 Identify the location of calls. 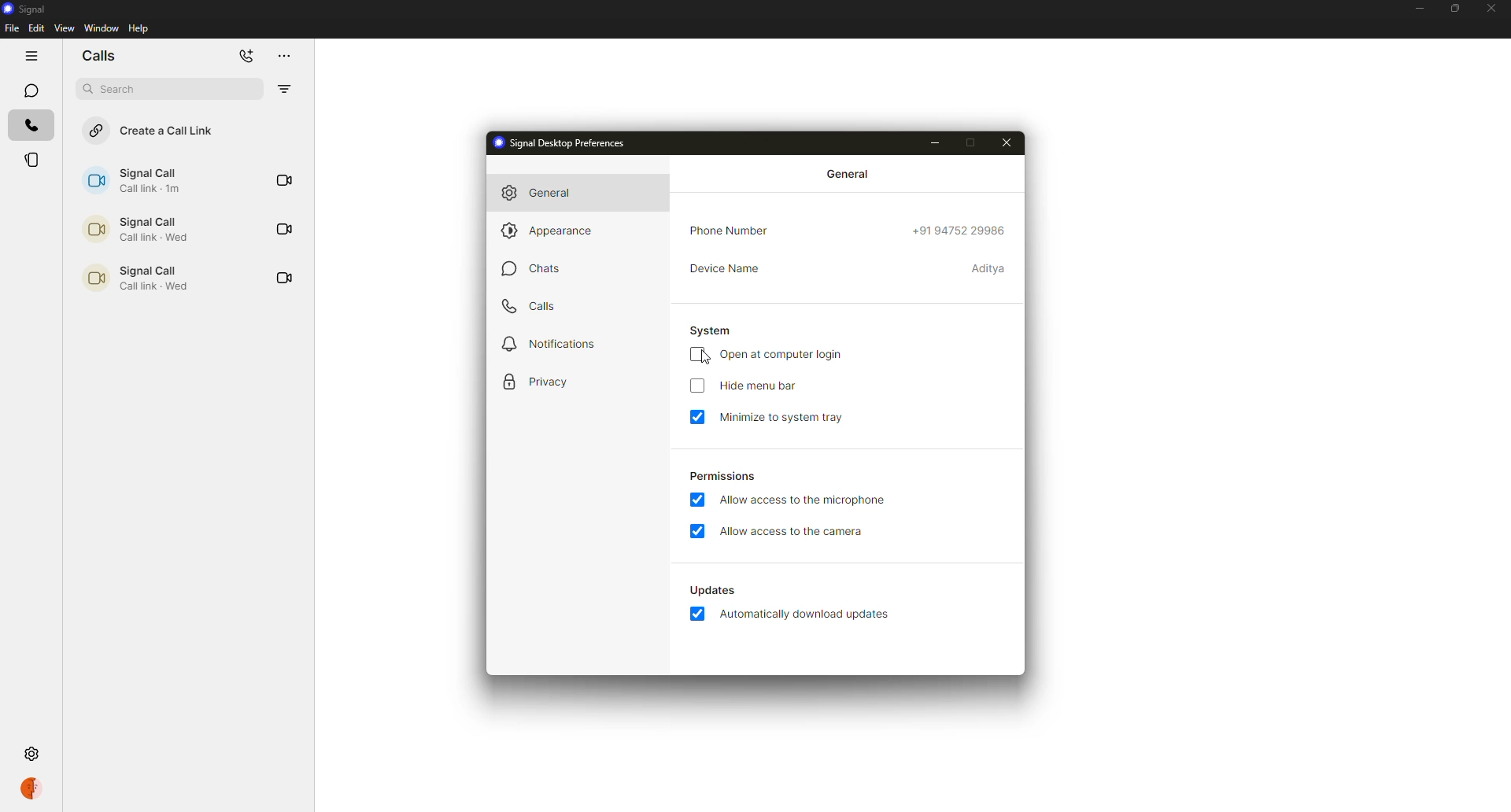
(530, 305).